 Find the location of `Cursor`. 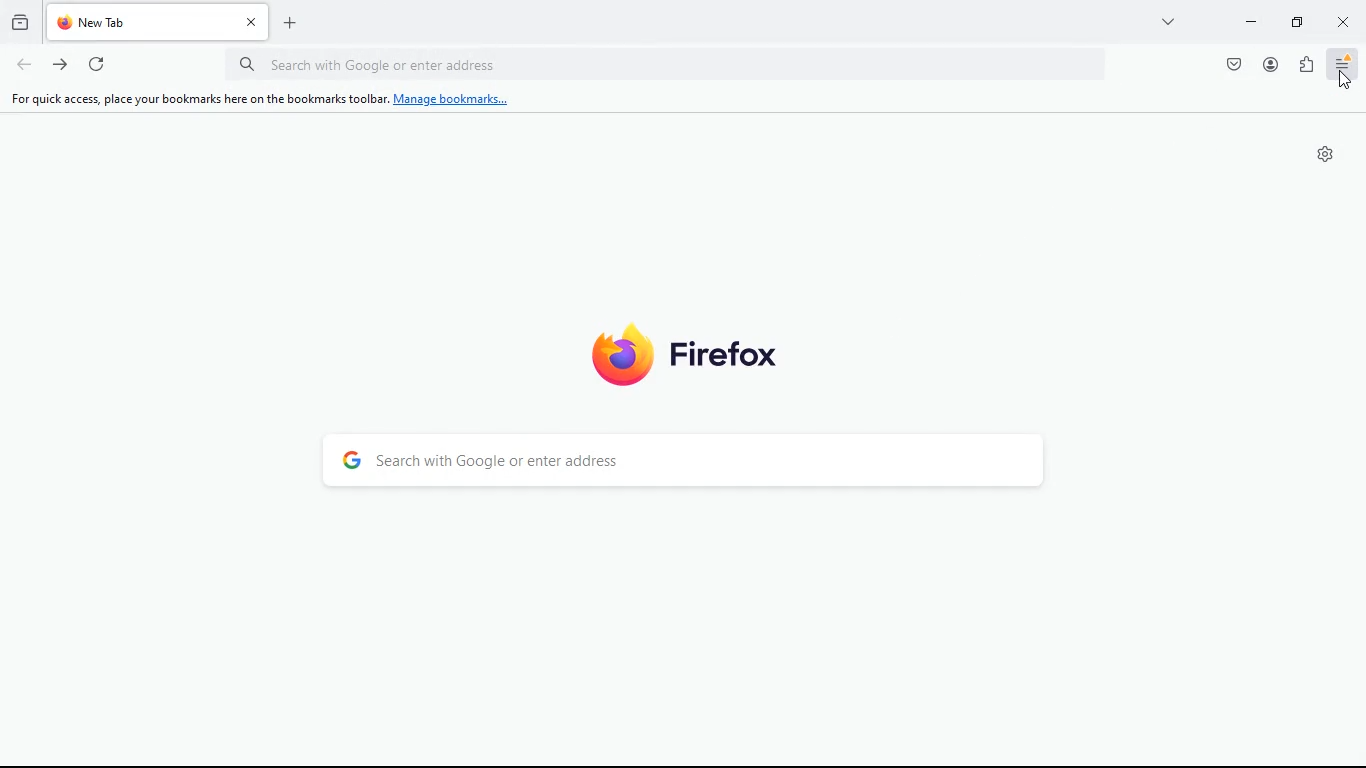

Cursor is located at coordinates (1344, 79).